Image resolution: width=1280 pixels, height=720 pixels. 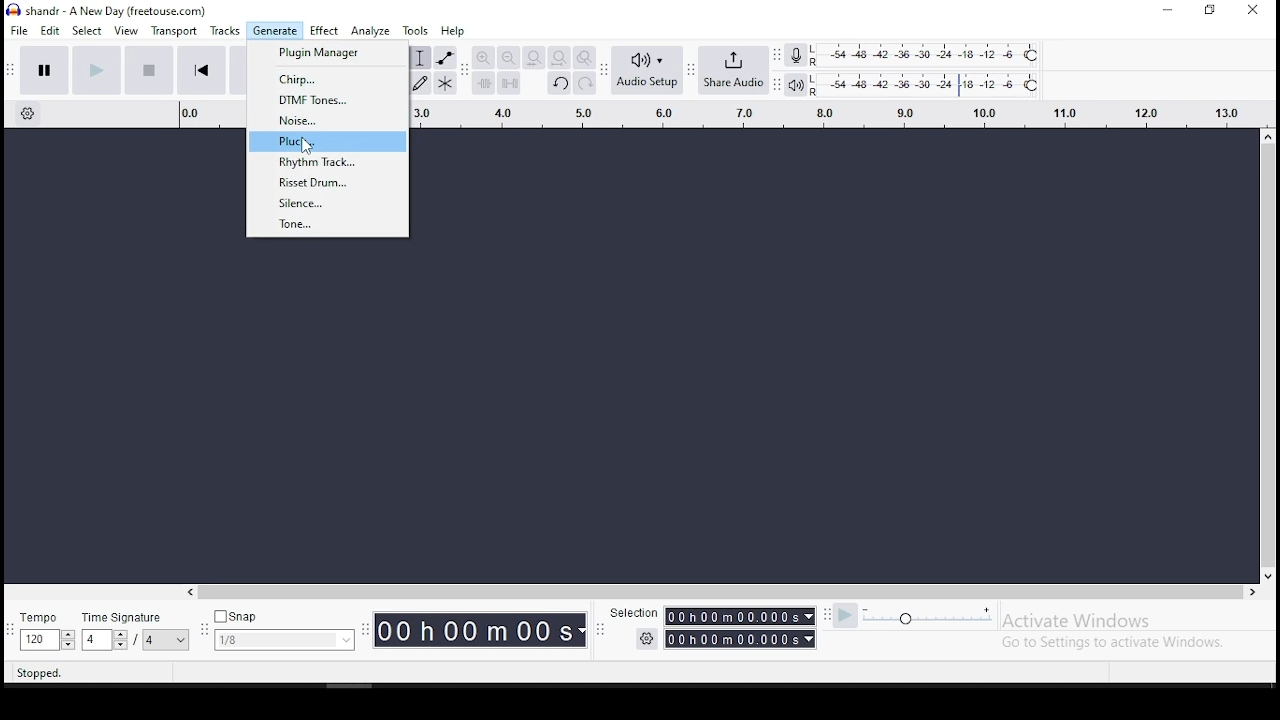 I want to click on time signature, so click(x=46, y=629).